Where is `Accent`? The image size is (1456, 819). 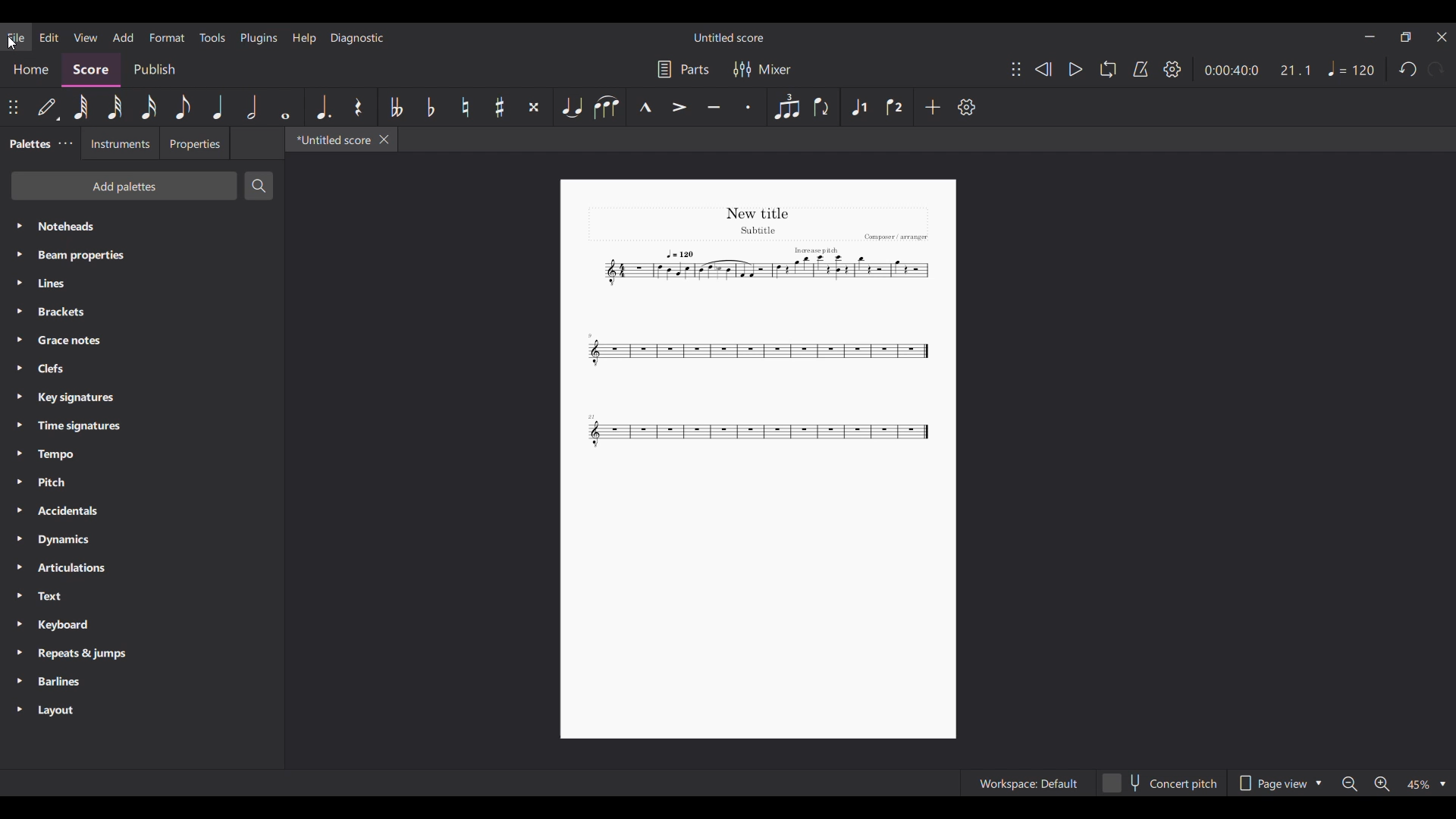 Accent is located at coordinates (679, 107).